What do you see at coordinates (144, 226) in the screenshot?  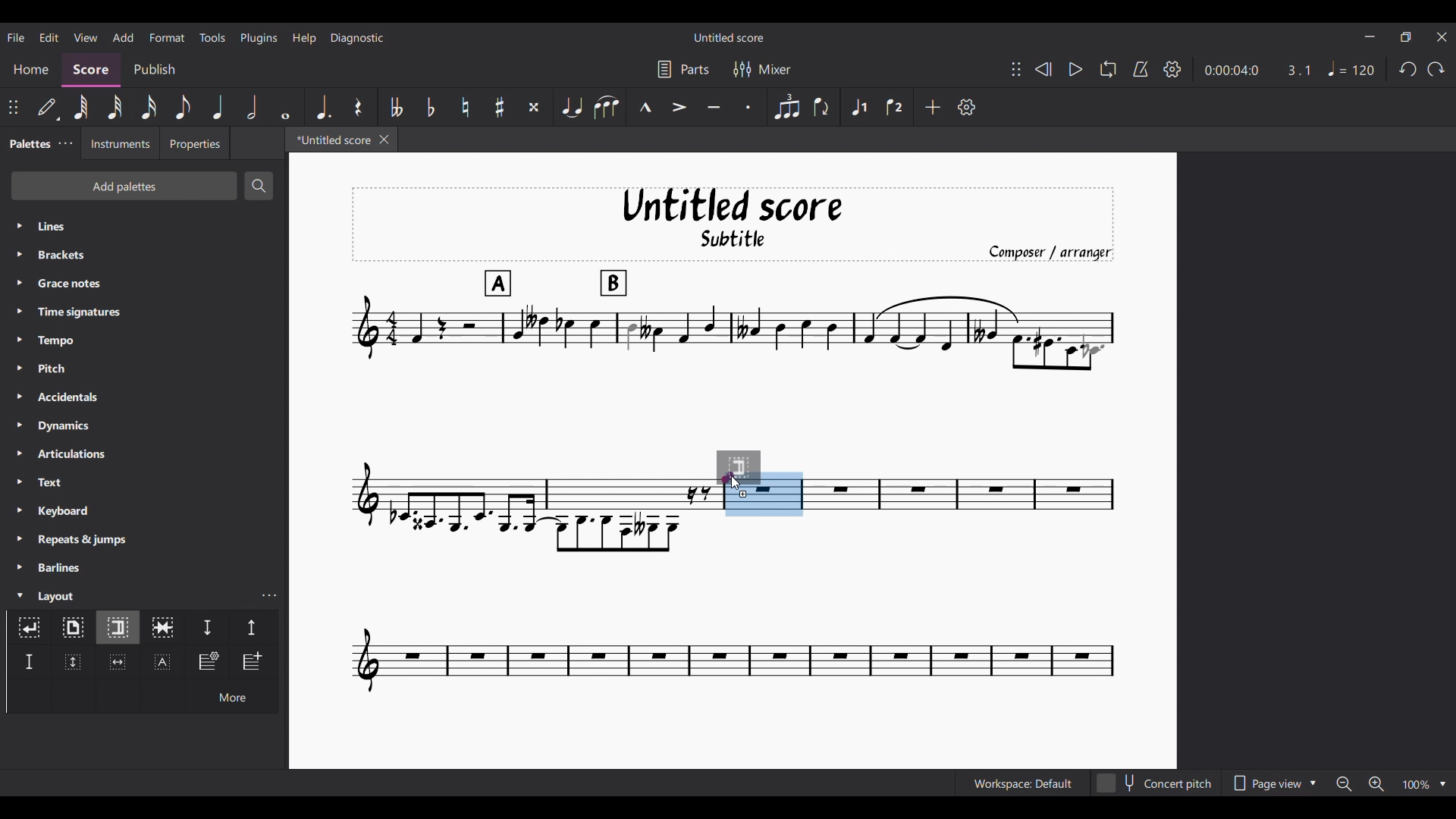 I see `Lines` at bounding box center [144, 226].